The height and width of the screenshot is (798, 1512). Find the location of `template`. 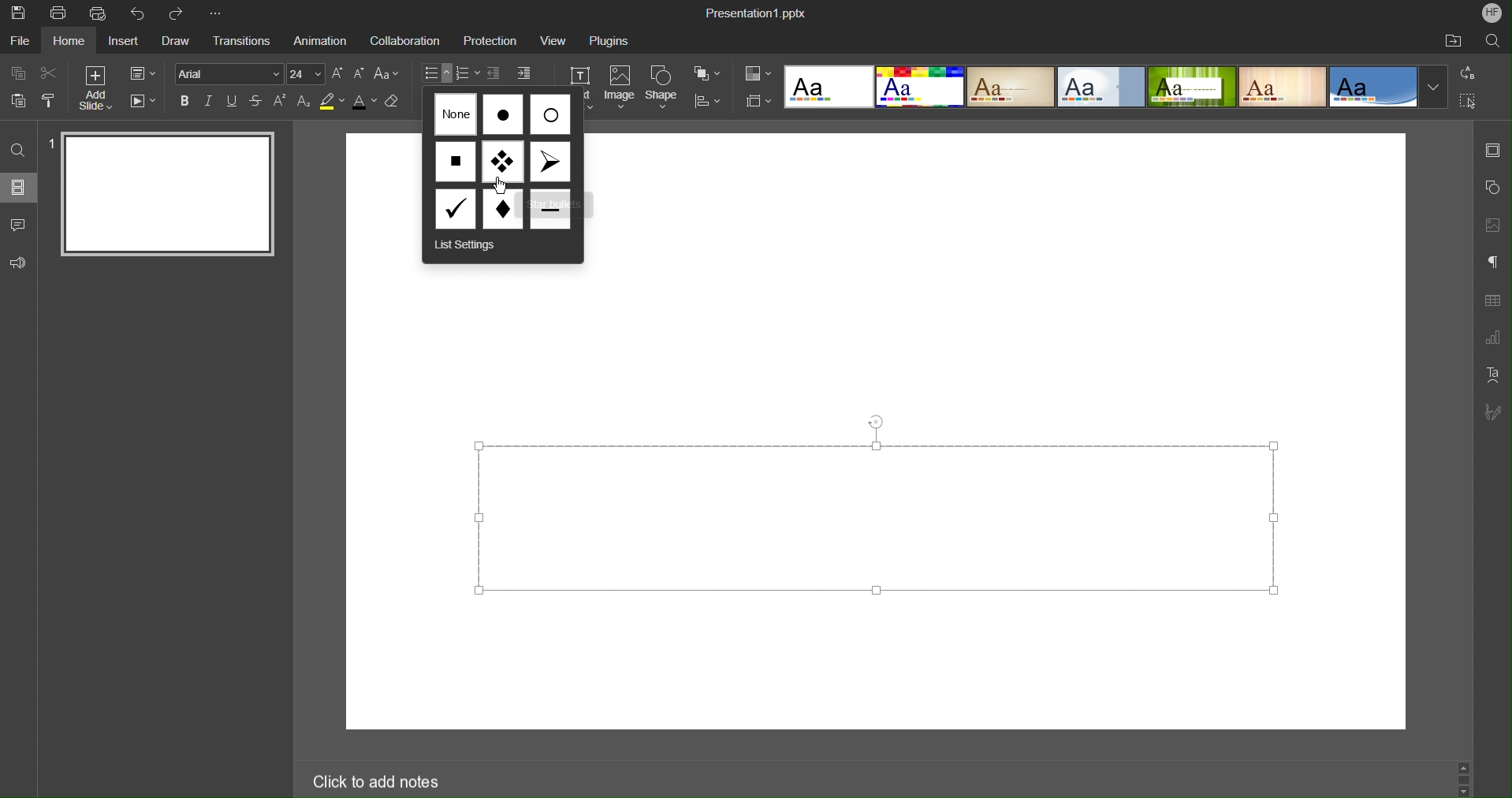

template is located at coordinates (1010, 88).